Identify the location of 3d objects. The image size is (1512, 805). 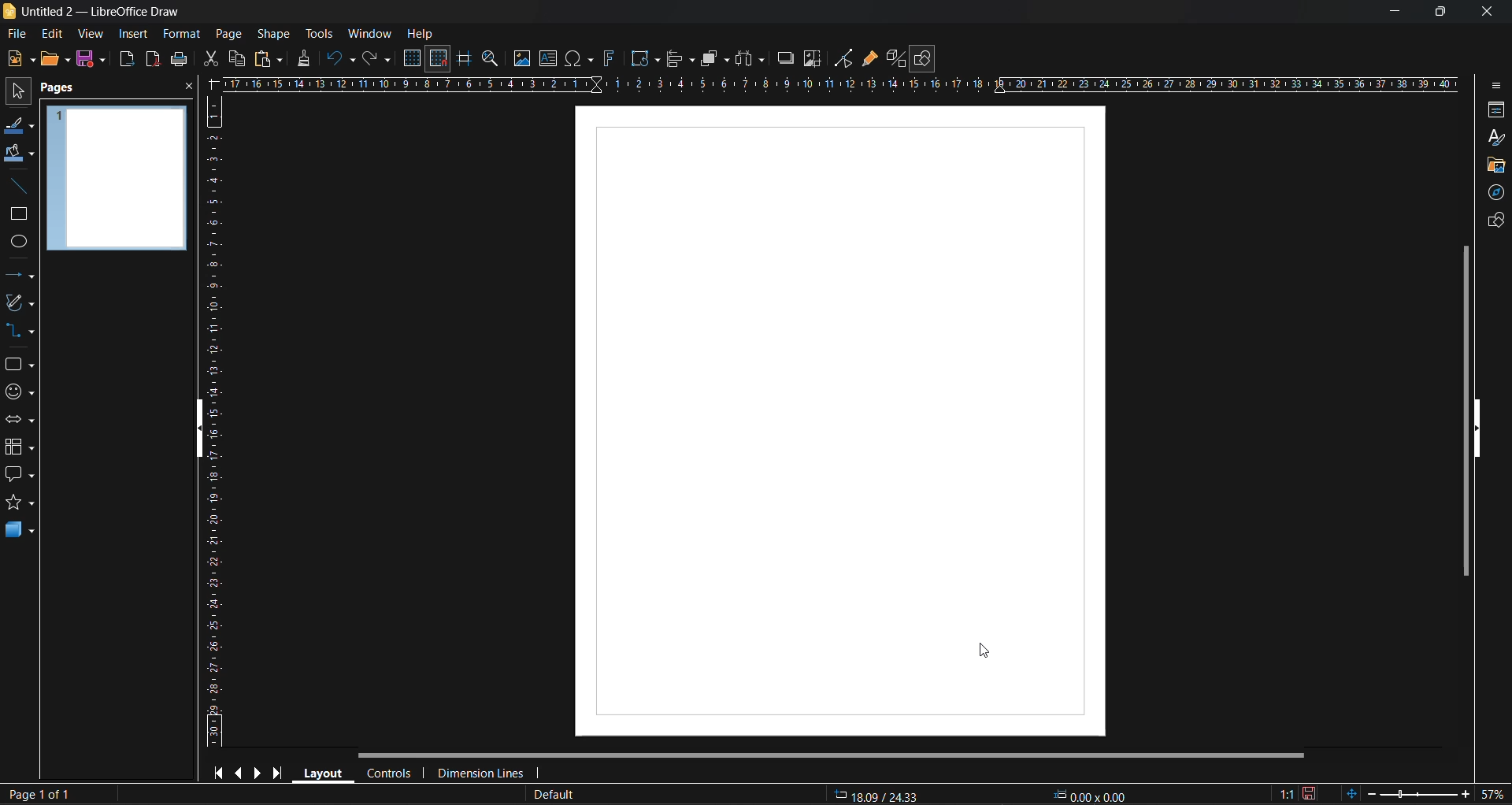
(22, 533).